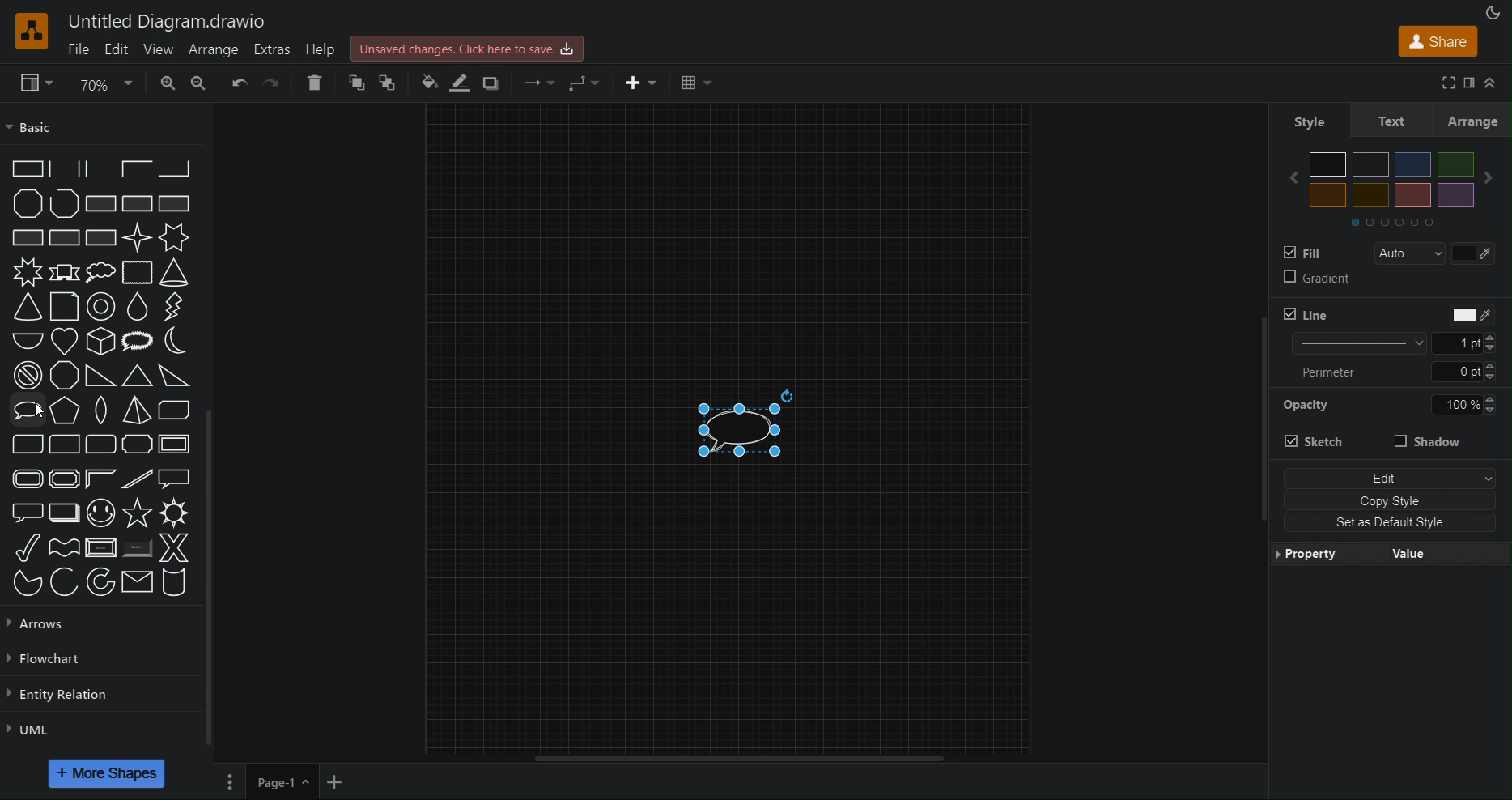  Describe the element at coordinates (174, 377) in the screenshot. I see `Obtuse Triangle` at that location.